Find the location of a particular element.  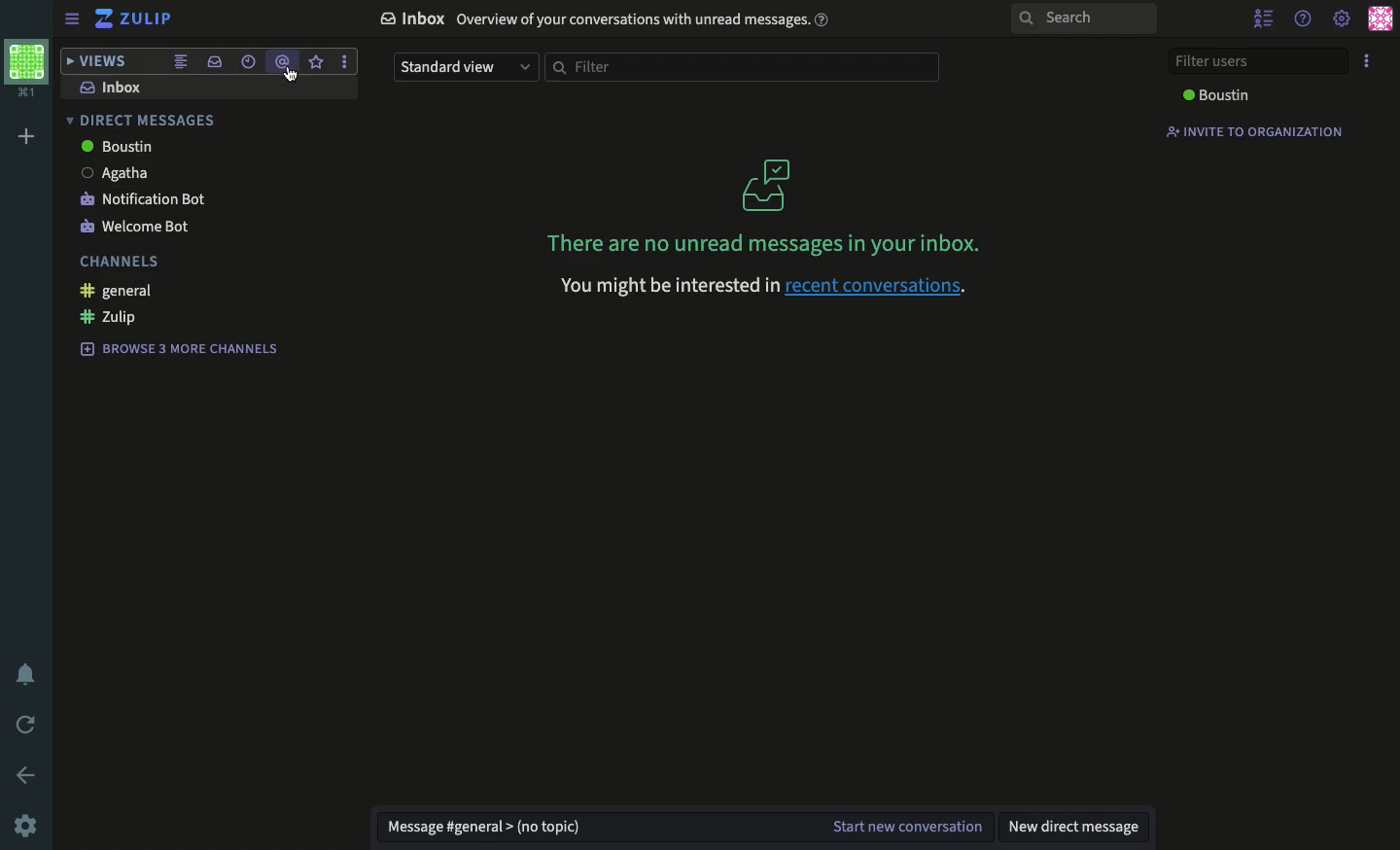

settings is located at coordinates (31, 825).